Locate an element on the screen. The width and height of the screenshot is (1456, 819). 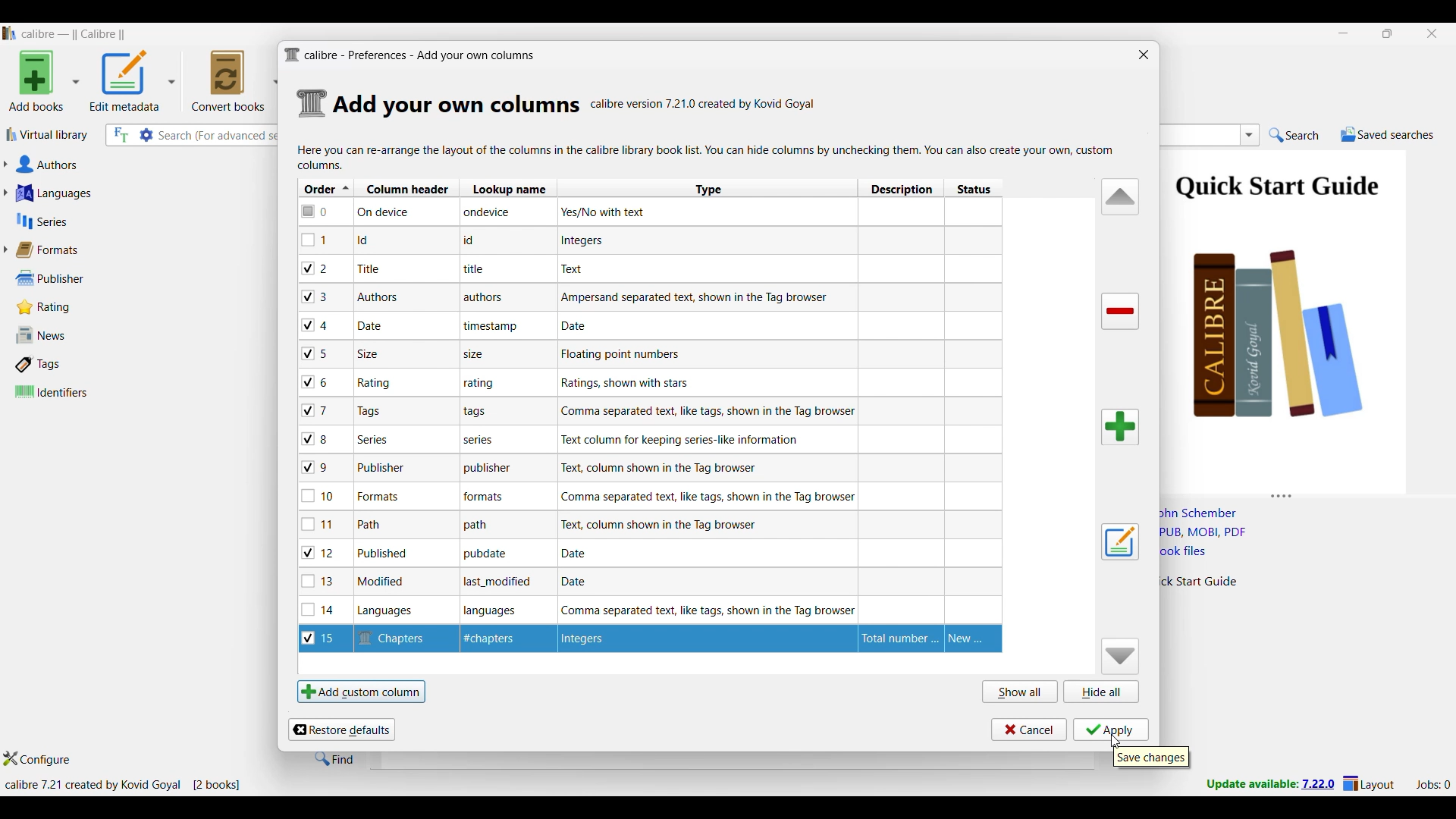
checkbox - 11 is located at coordinates (320, 524).